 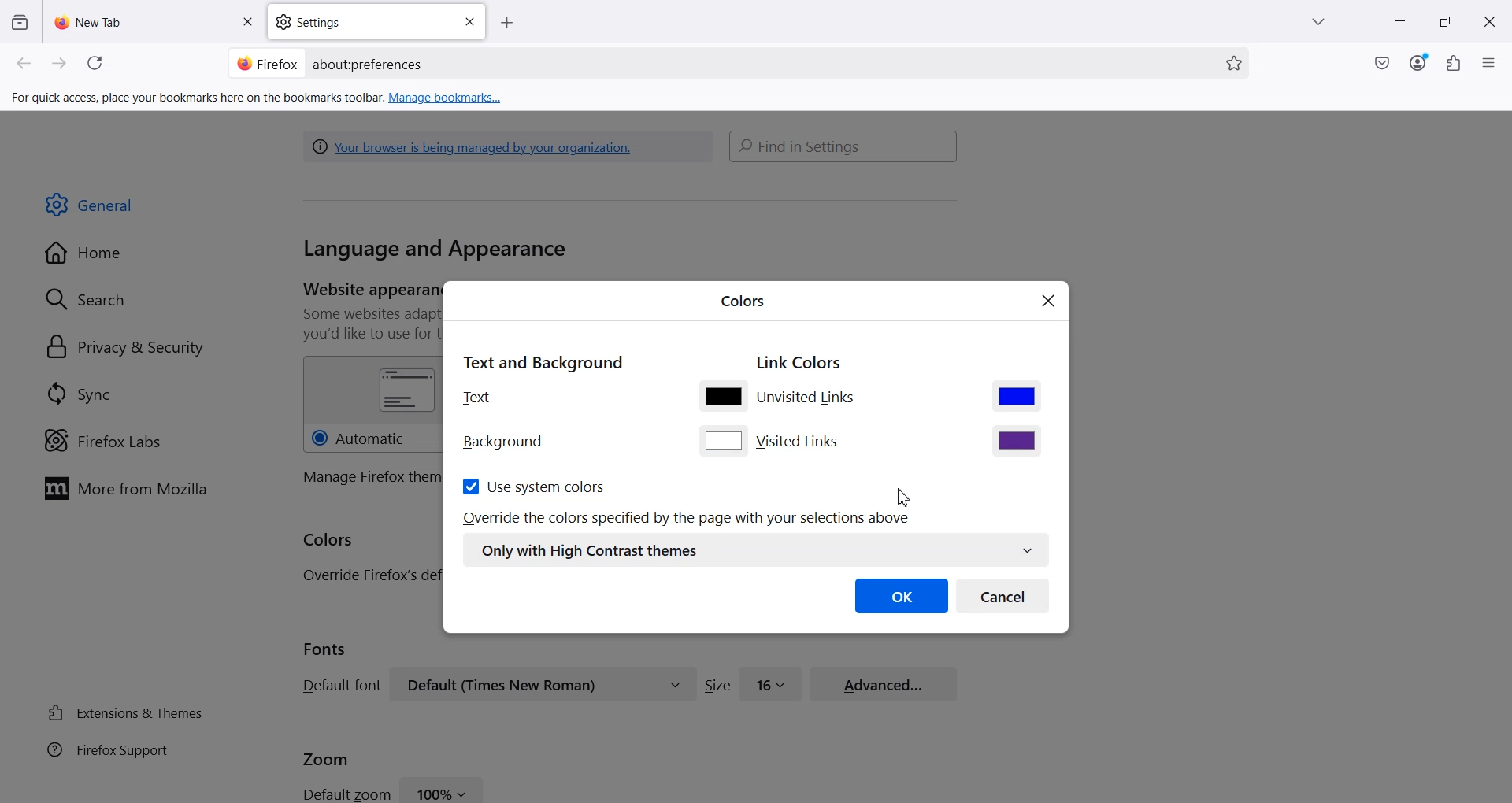 What do you see at coordinates (1399, 23) in the screenshot?
I see `Minimize` at bounding box center [1399, 23].